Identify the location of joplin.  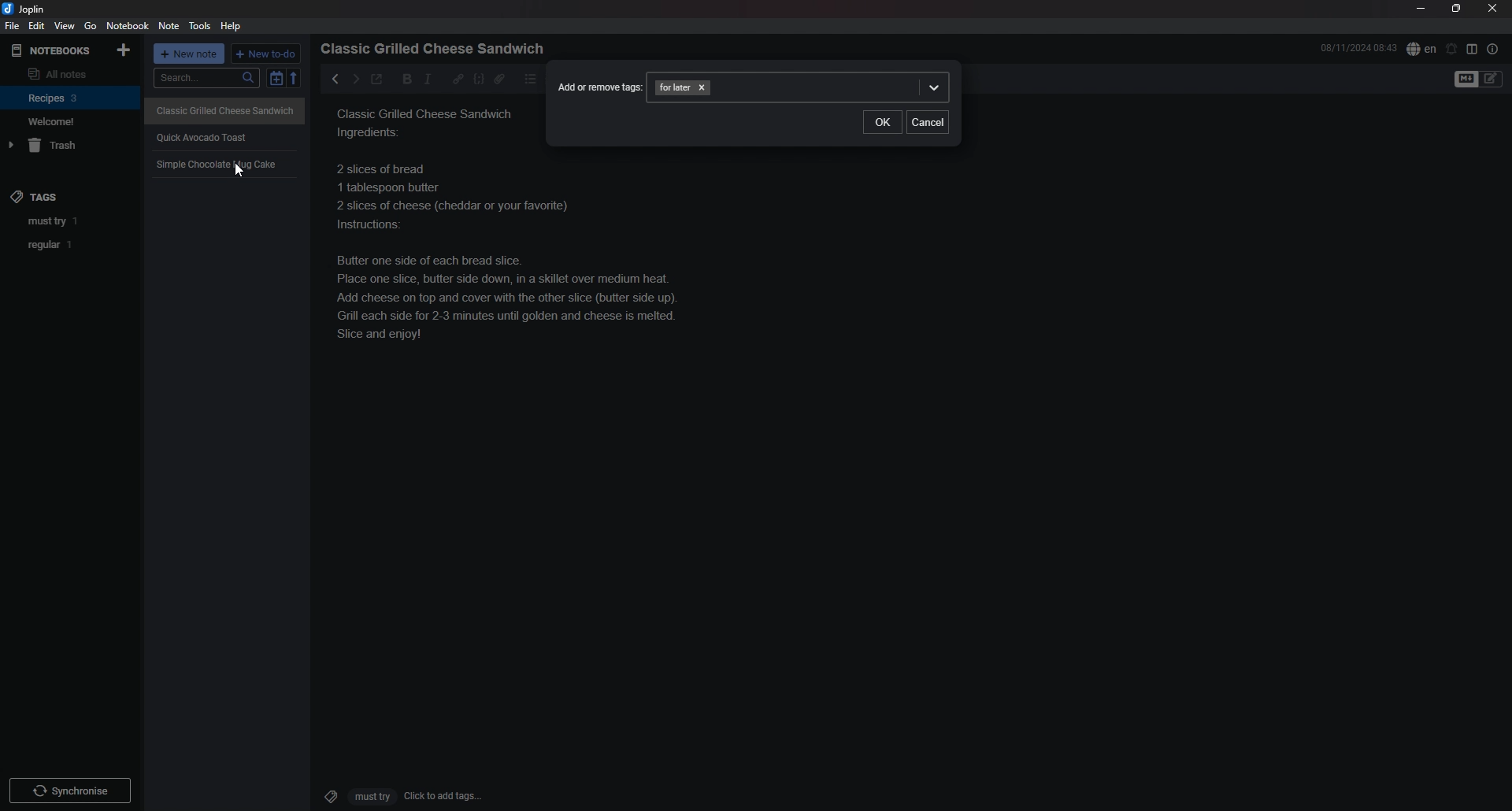
(26, 9).